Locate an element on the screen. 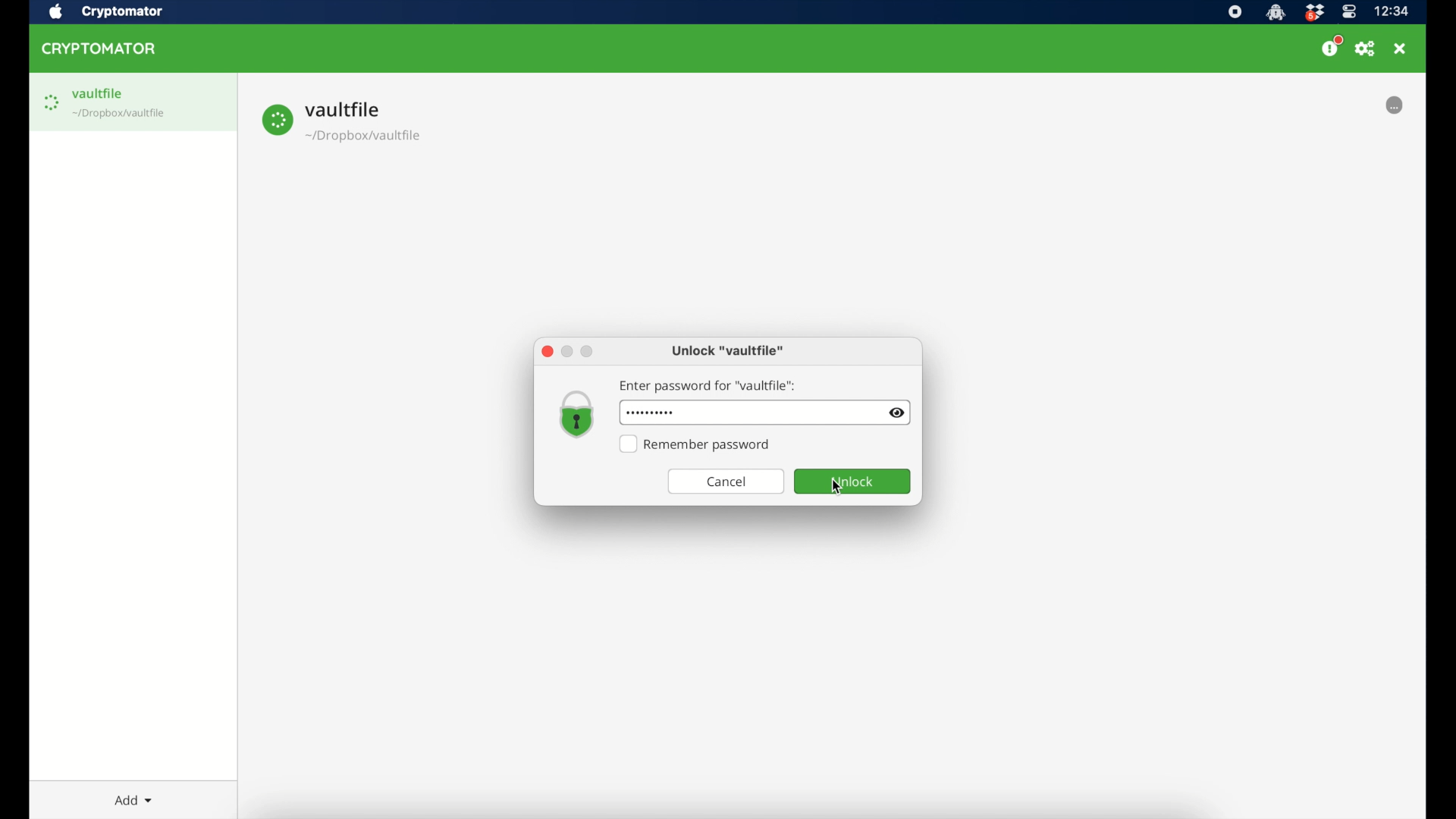  vault file is located at coordinates (342, 121).